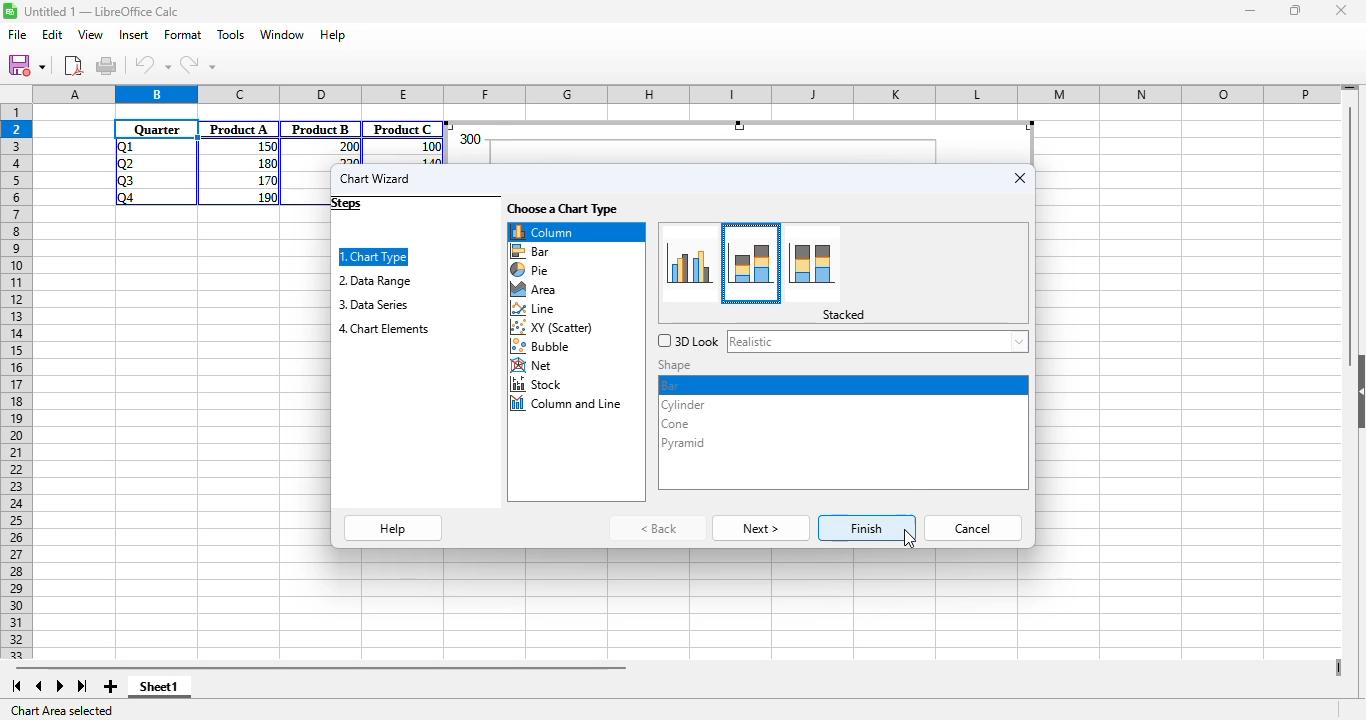 The width and height of the screenshot is (1366, 720). What do you see at coordinates (563, 209) in the screenshot?
I see `choose a chart type` at bounding box center [563, 209].